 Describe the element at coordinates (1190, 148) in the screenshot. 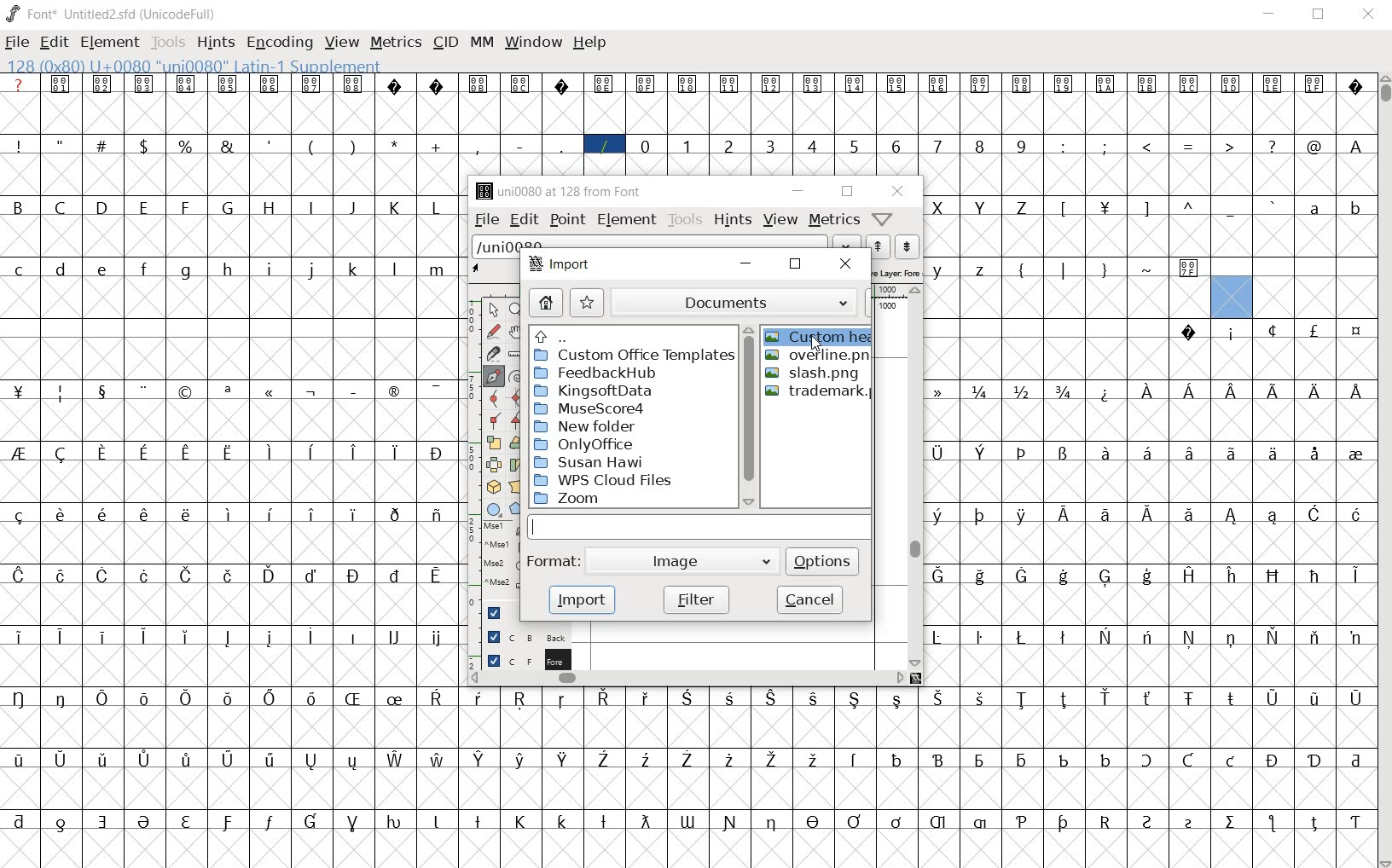

I see `glyph` at that location.